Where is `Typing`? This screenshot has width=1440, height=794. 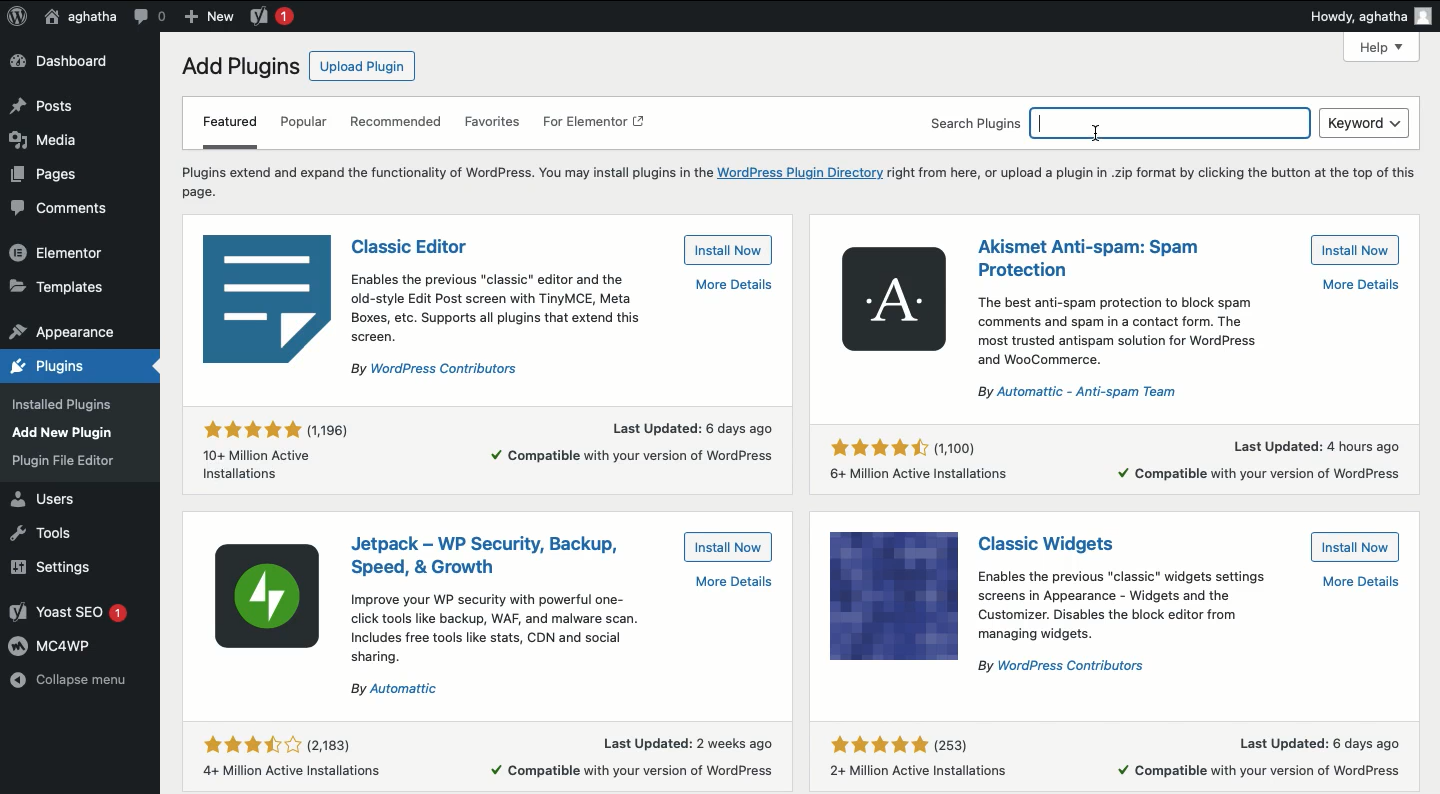
Typing is located at coordinates (1169, 123).